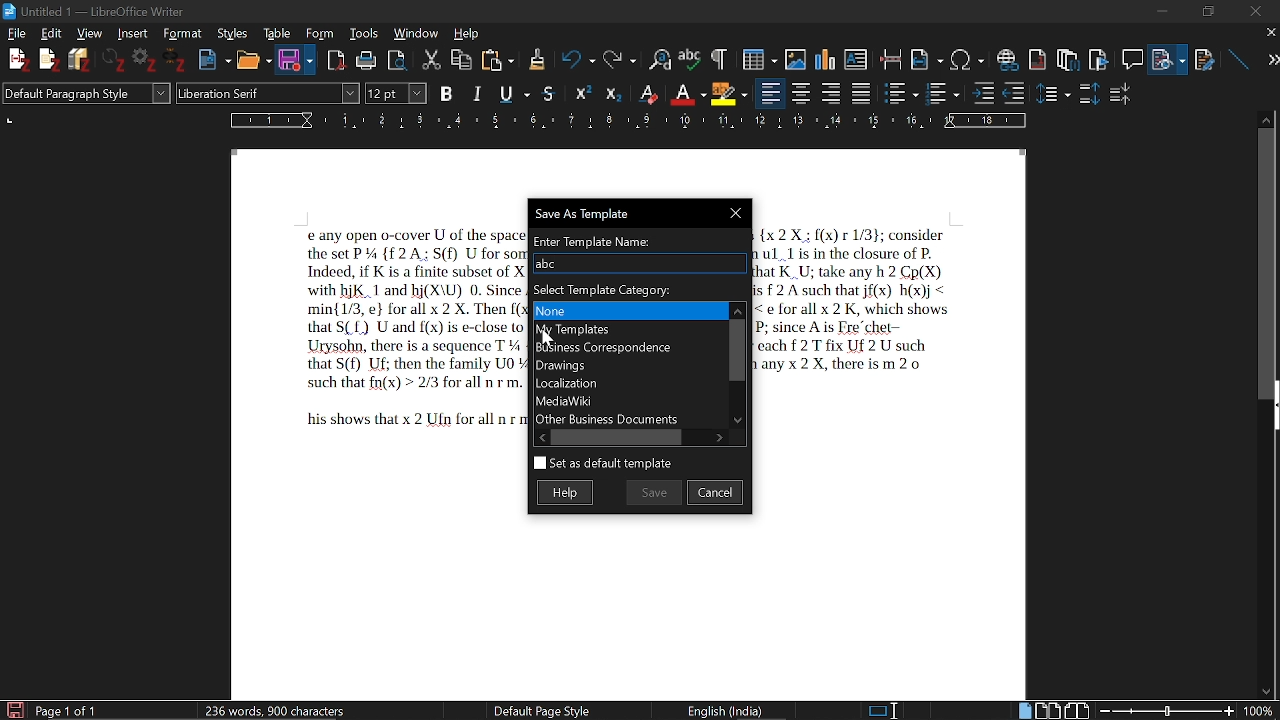 The image size is (1280, 720). Describe the element at coordinates (1256, 10) in the screenshot. I see `close` at that location.